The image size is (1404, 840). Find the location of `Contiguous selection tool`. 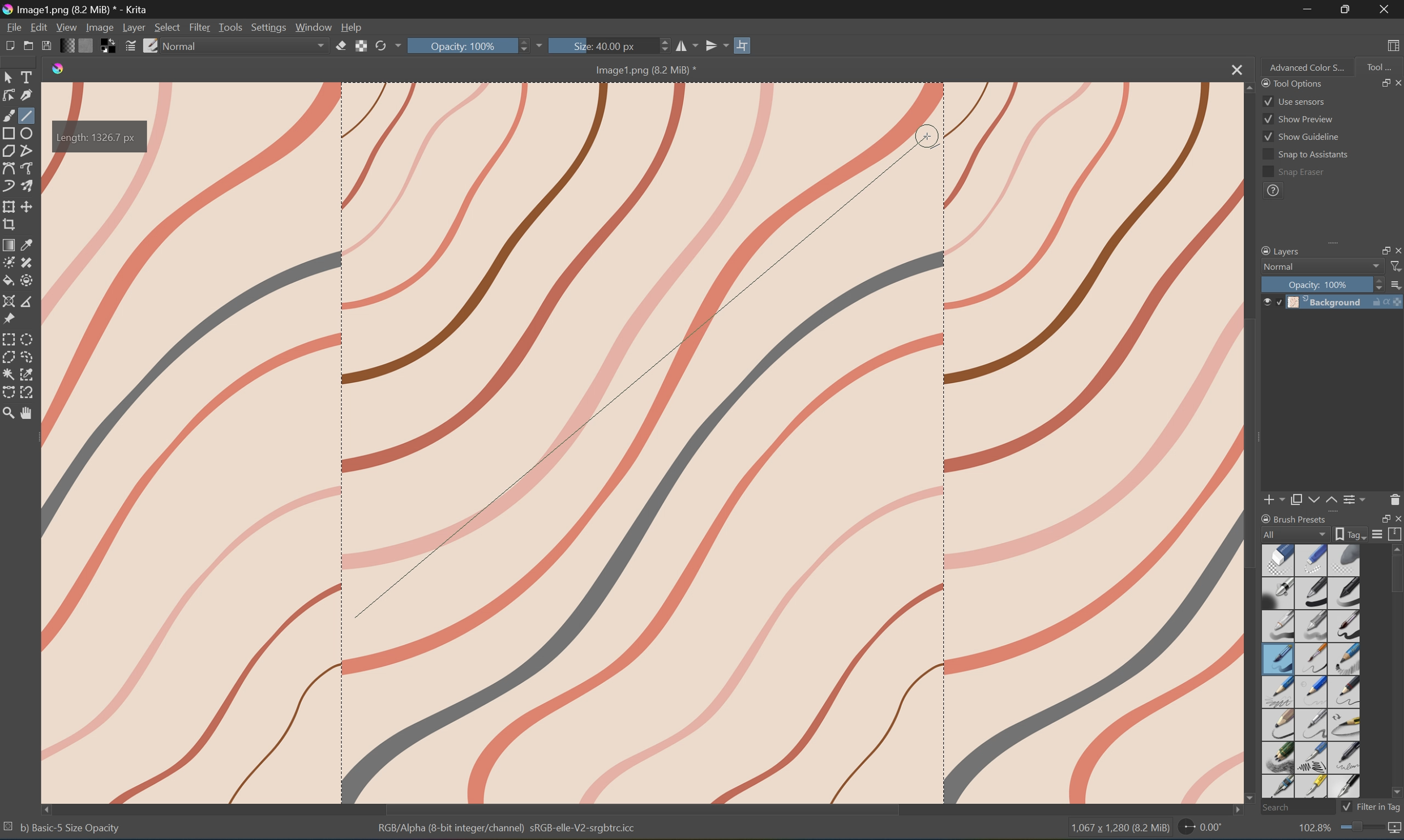

Contiguous selection tool is located at coordinates (9, 374).